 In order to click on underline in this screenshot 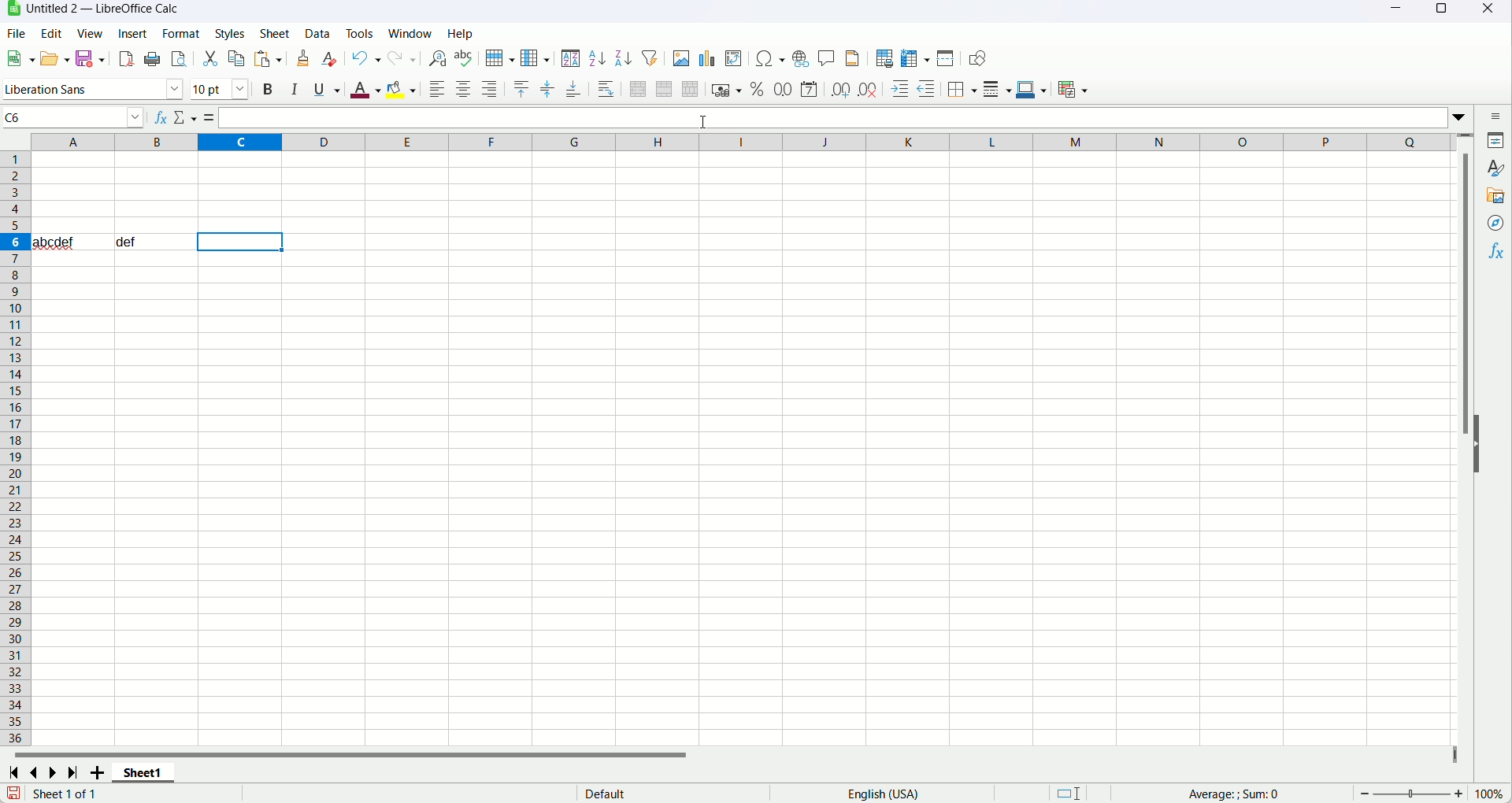, I will do `click(328, 91)`.